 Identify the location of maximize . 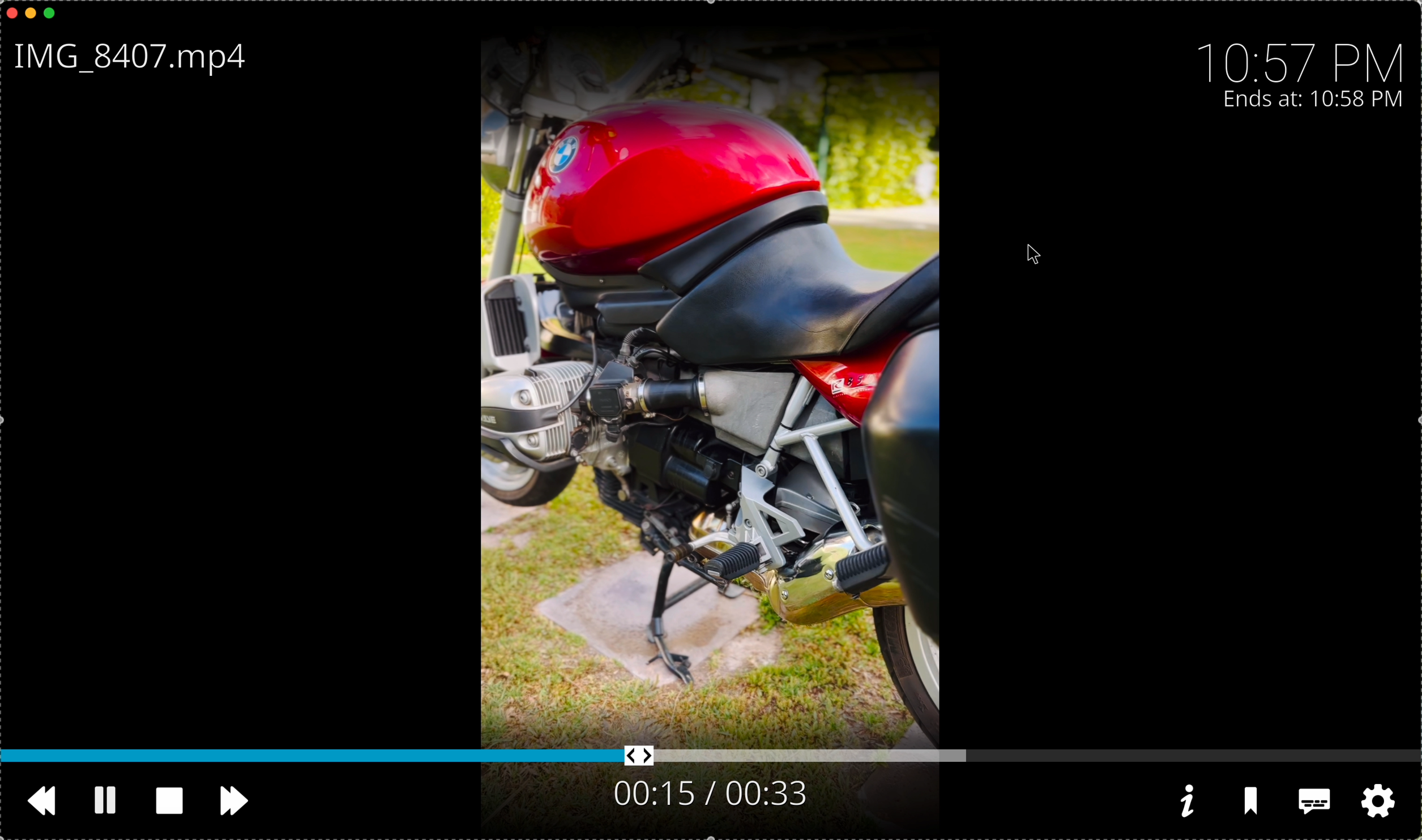
(55, 14).